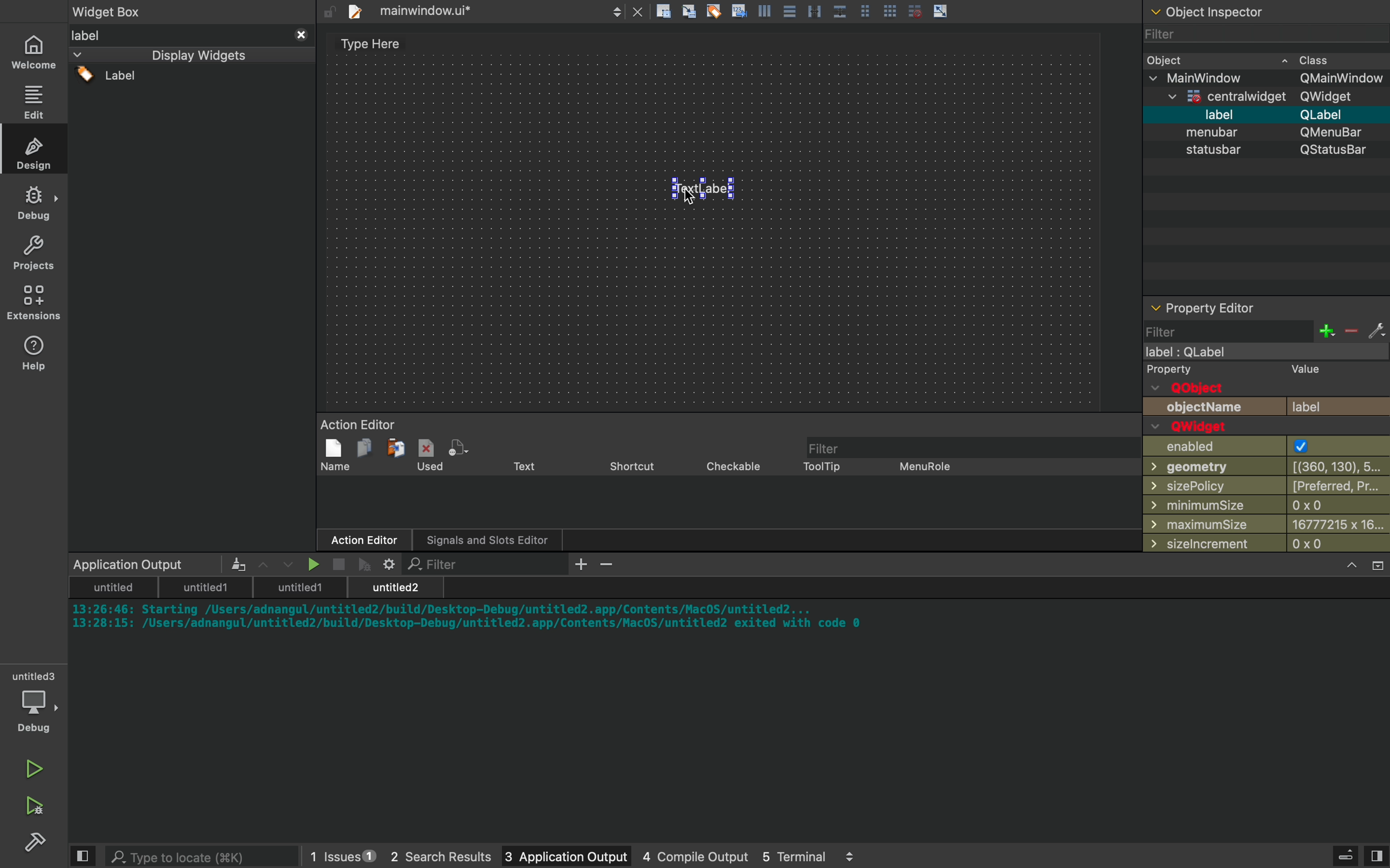  I want to click on , so click(798, 12).